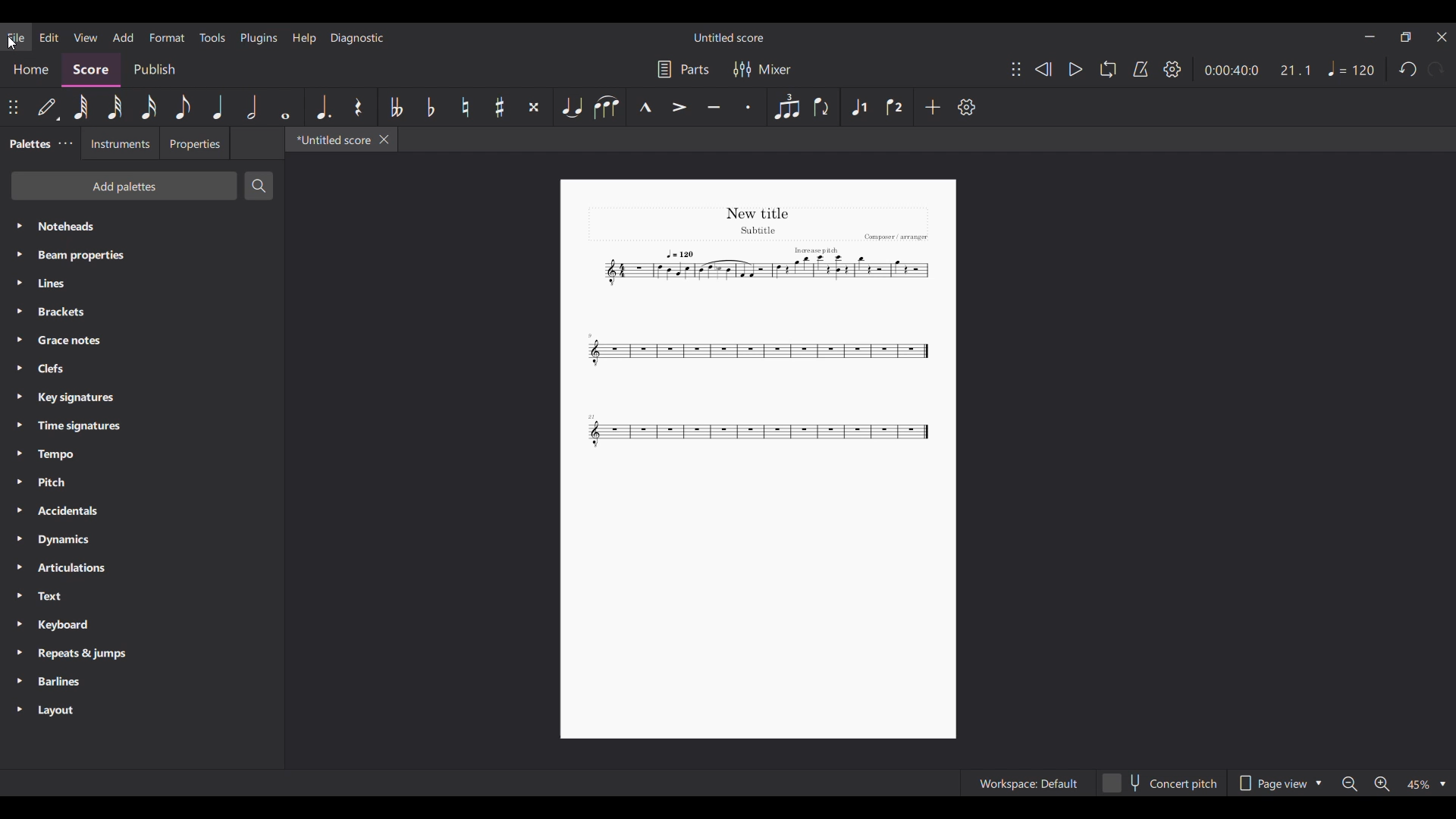  What do you see at coordinates (13, 107) in the screenshot?
I see `Change position` at bounding box center [13, 107].